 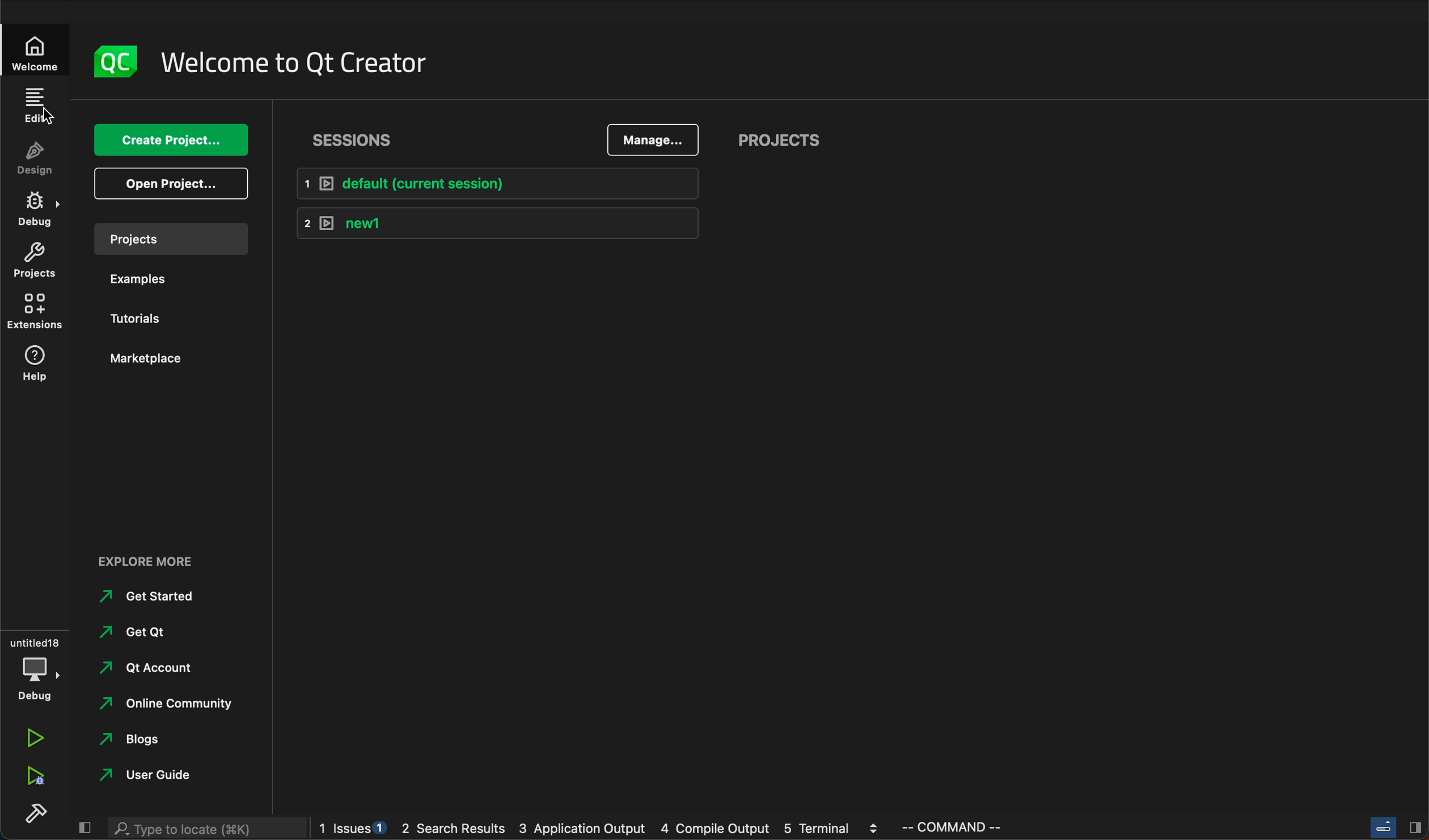 I want to click on command, so click(x=971, y=829).